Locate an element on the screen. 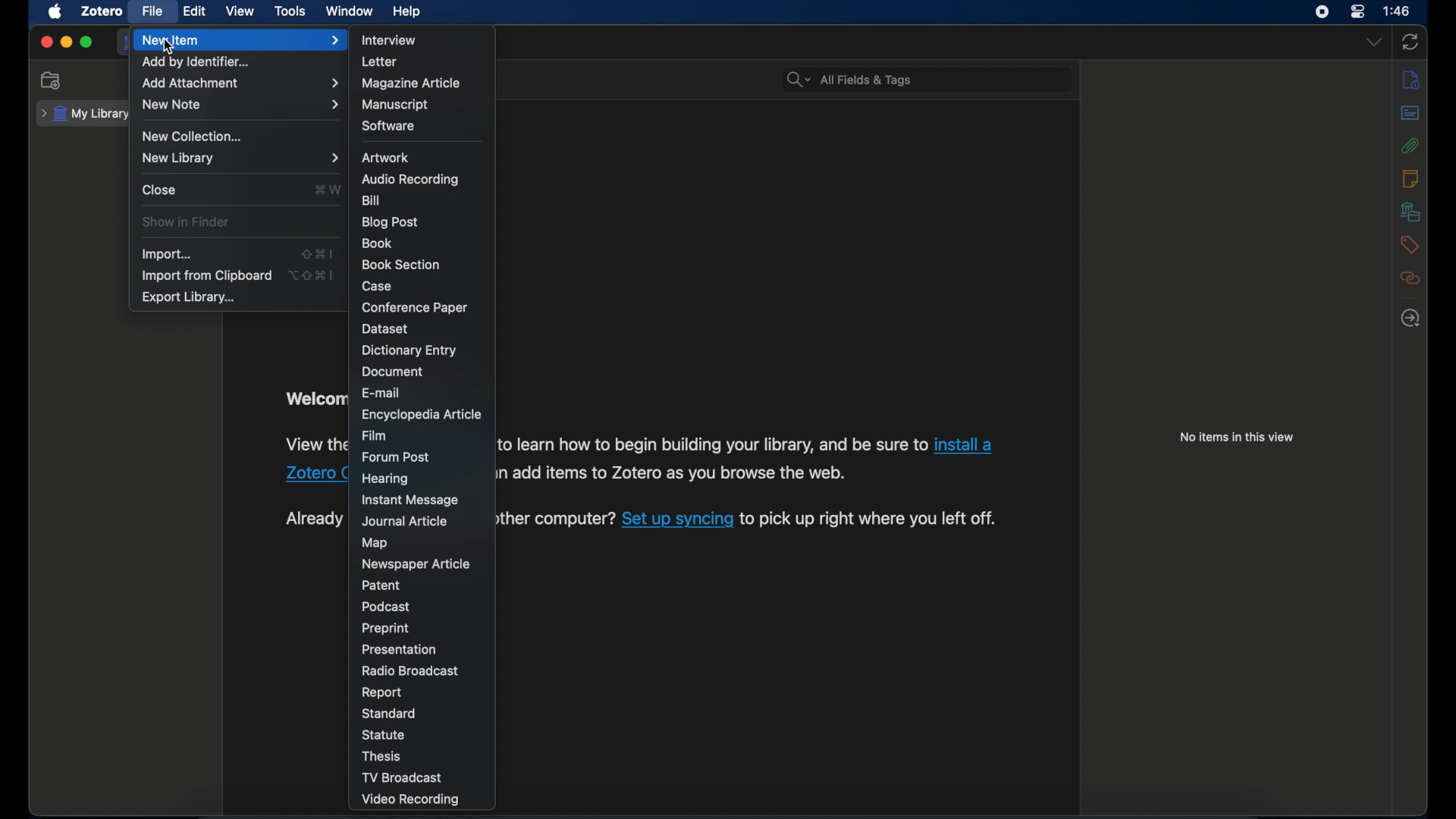  close is located at coordinates (159, 189).